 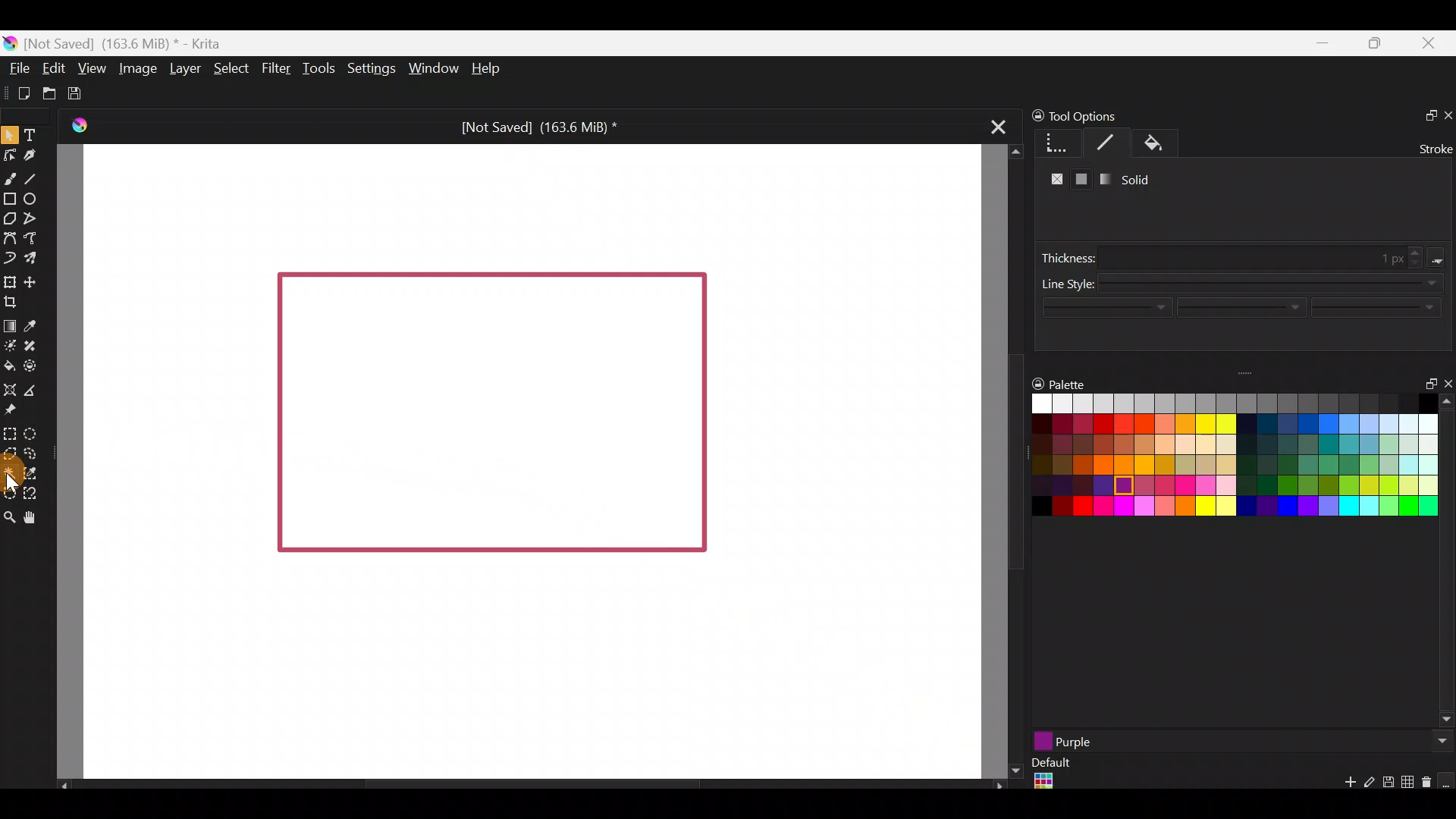 I want to click on Palette, so click(x=1061, y=383).